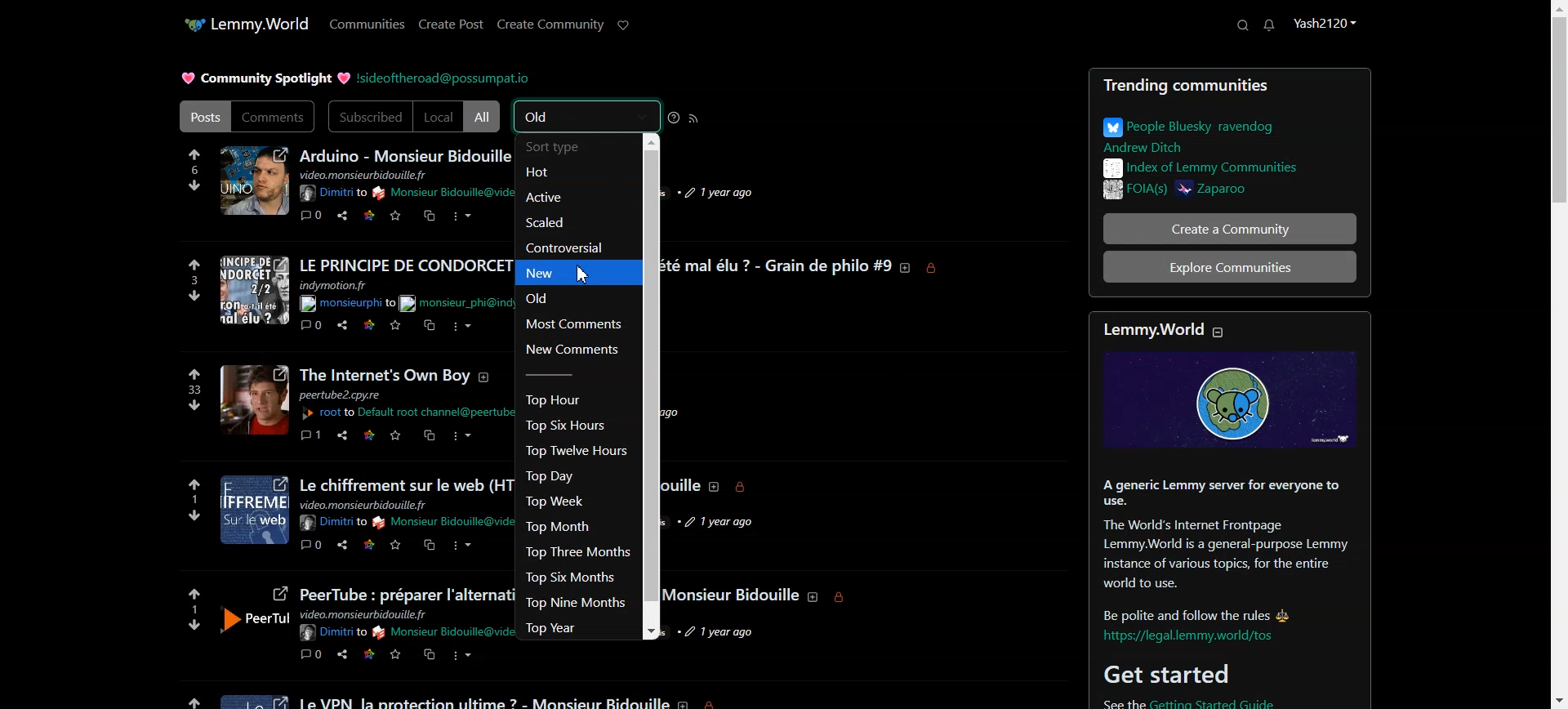 This screenshot has height=709, width=1568. I want to click on indymotion.fr, so click(335, 286).